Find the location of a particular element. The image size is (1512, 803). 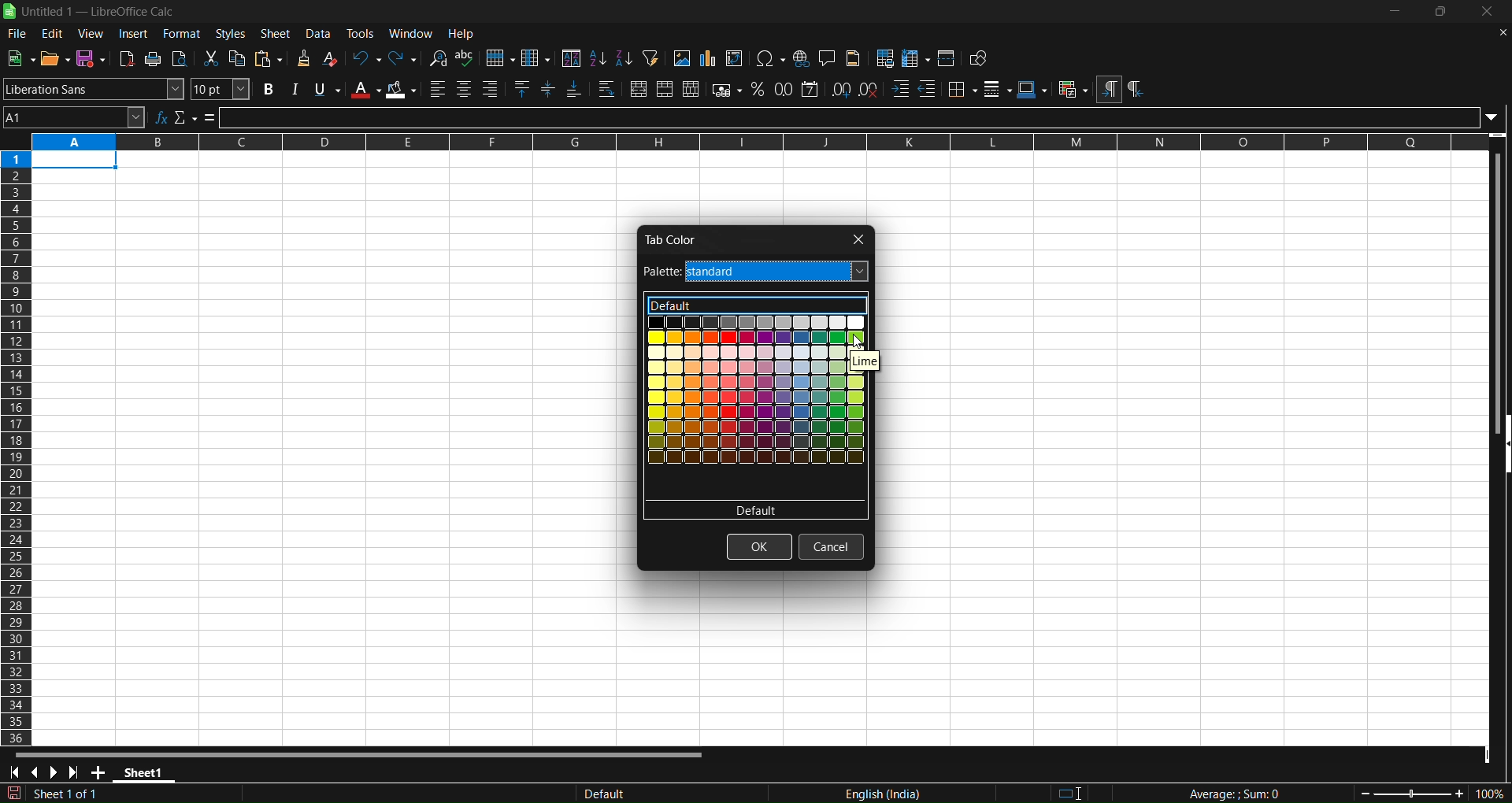

sheet 1 is located at coordinates (147, 775).